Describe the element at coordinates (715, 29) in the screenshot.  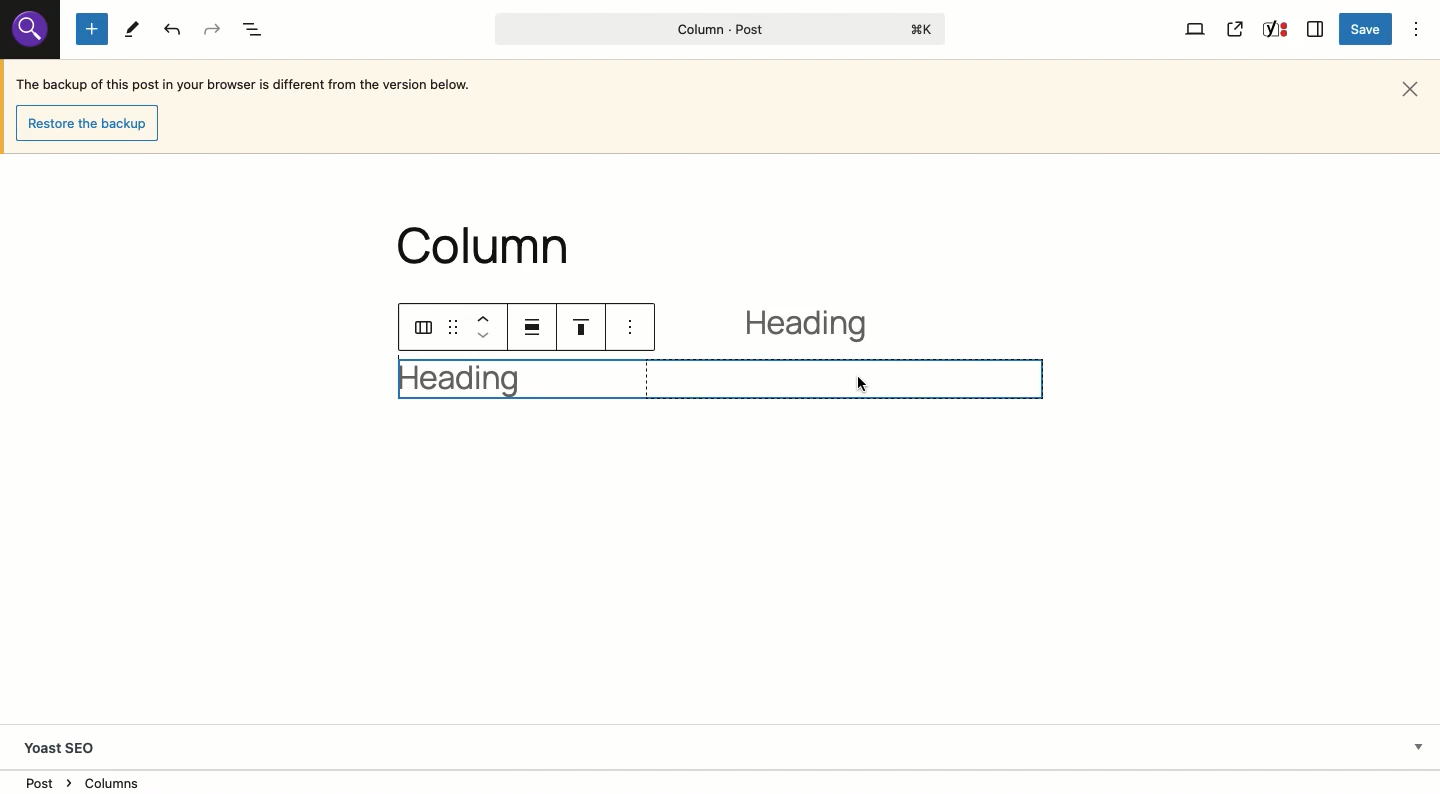
I see `Column - Post` at that location.